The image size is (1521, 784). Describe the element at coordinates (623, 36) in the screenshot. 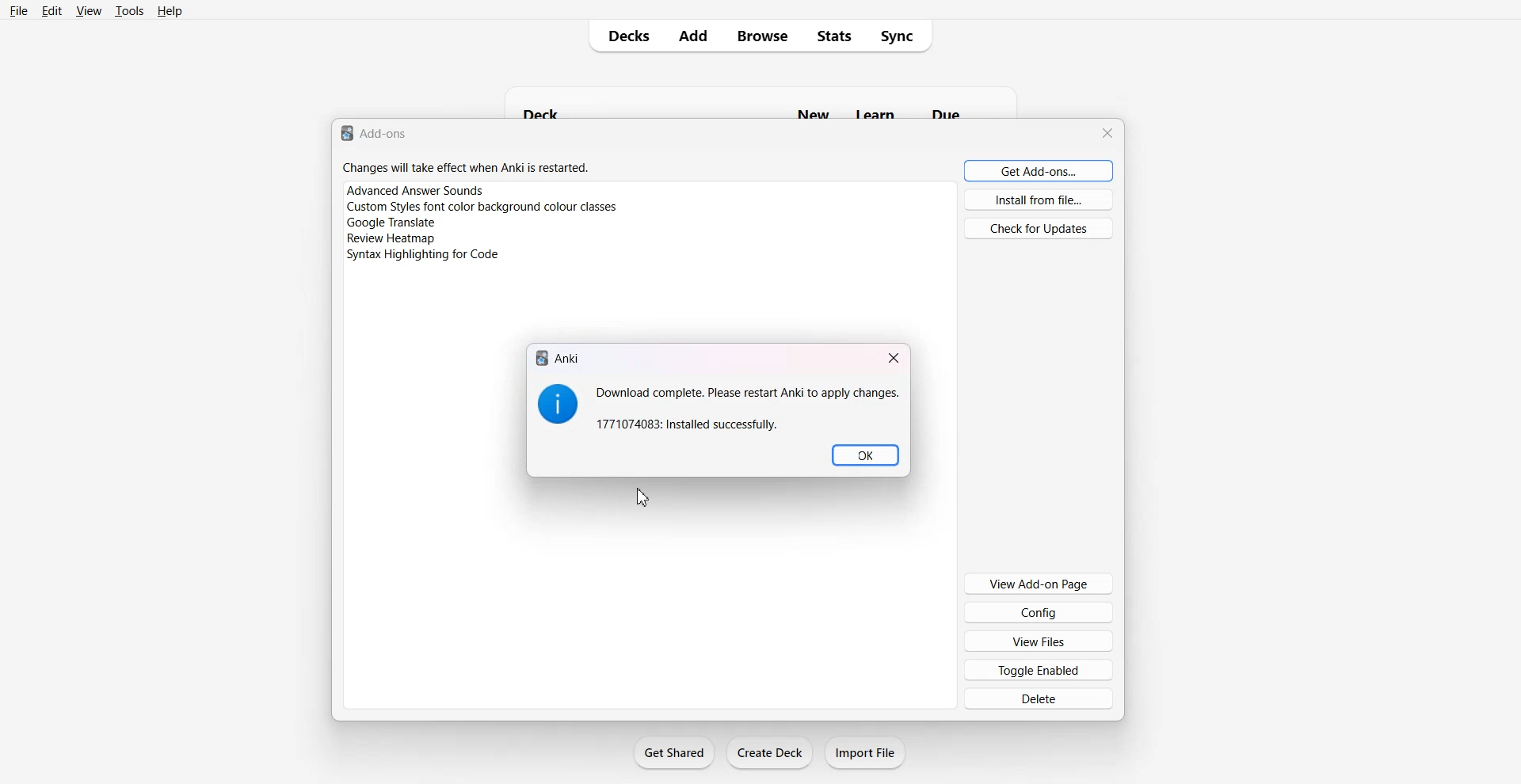

I see `Decks` at that location.